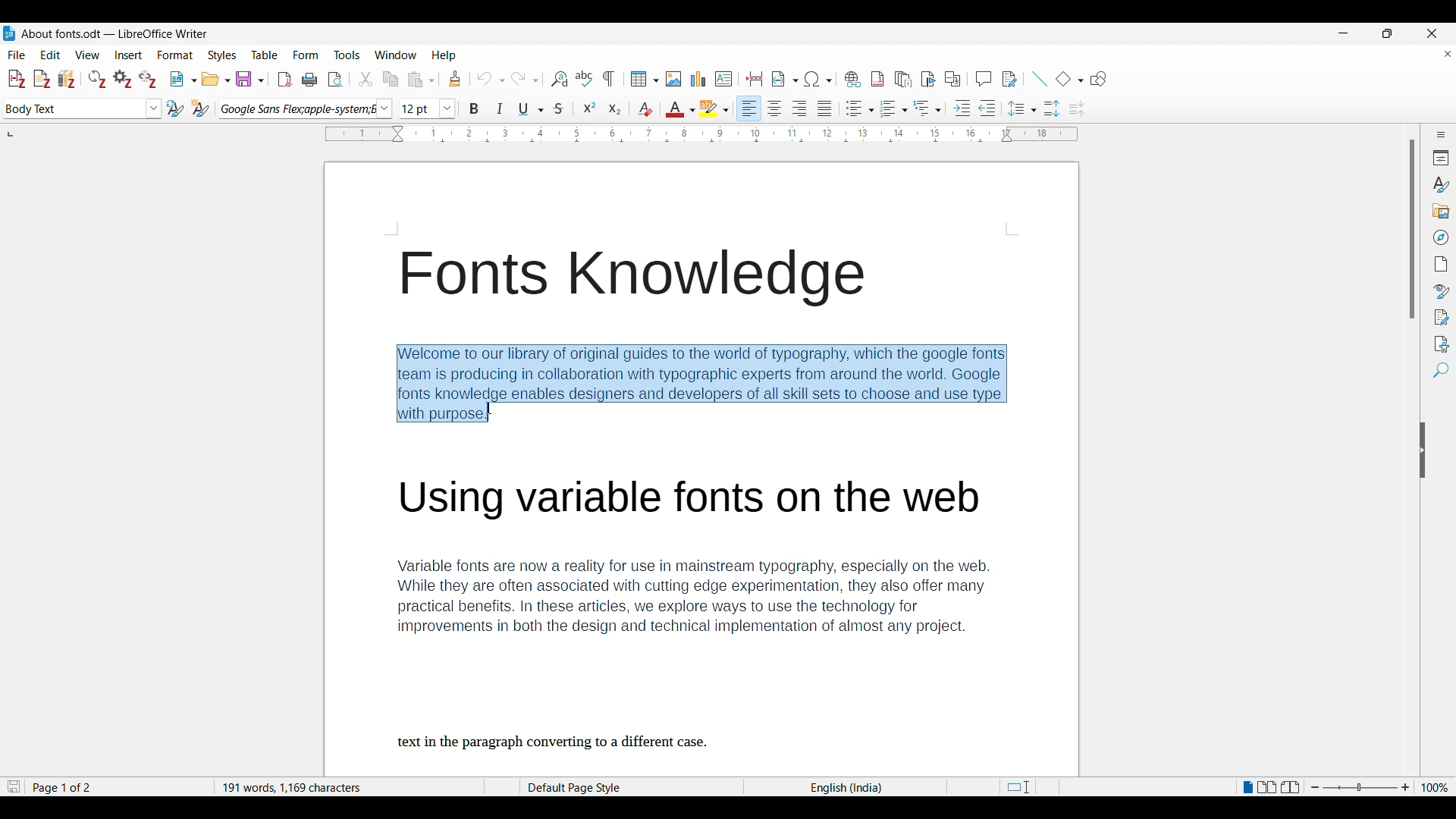  Describe the element at coordinates (347, 55) in the screenshot. I see `Tools menu` at that location.